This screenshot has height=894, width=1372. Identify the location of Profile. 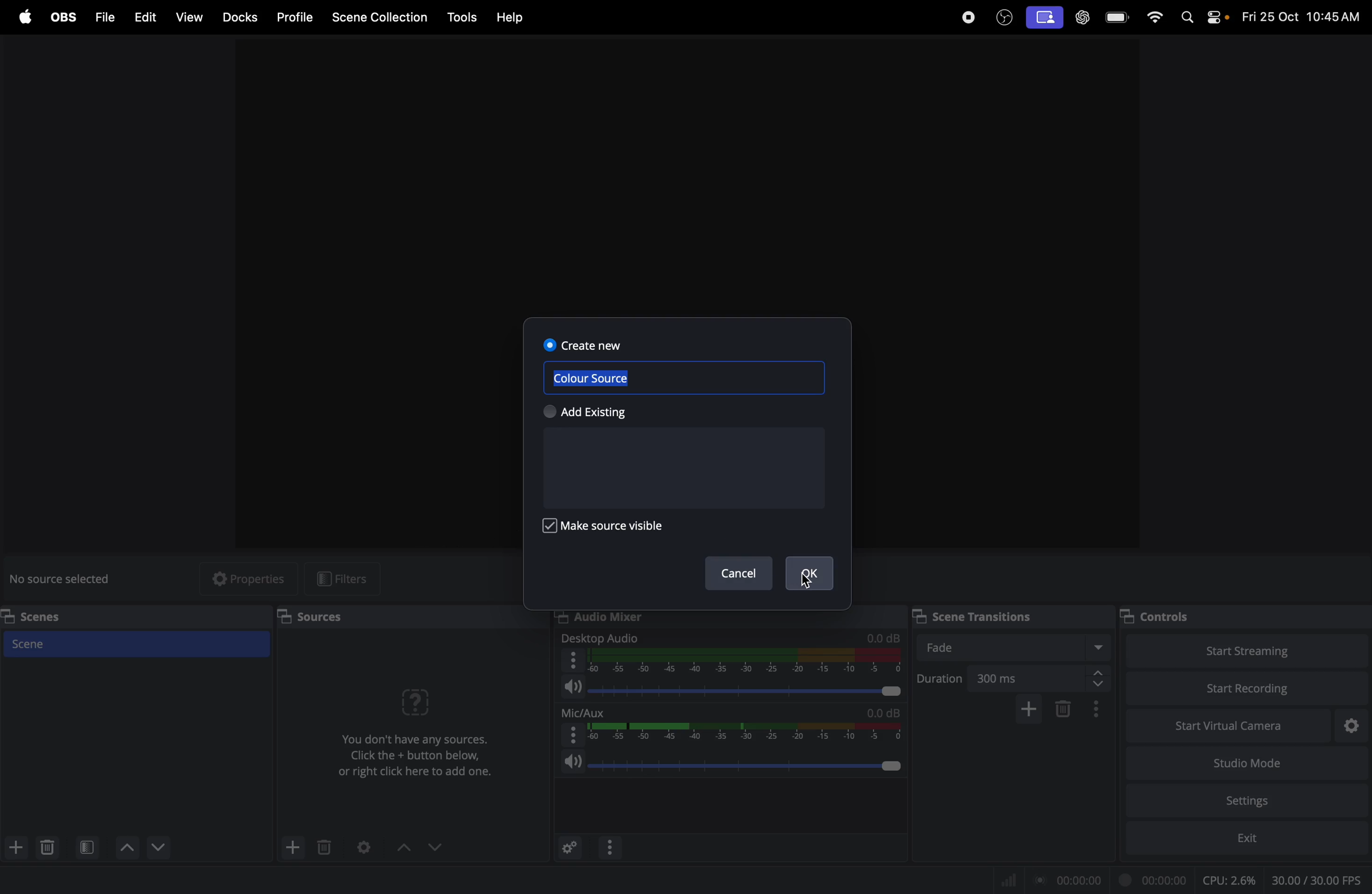
(295, 18).